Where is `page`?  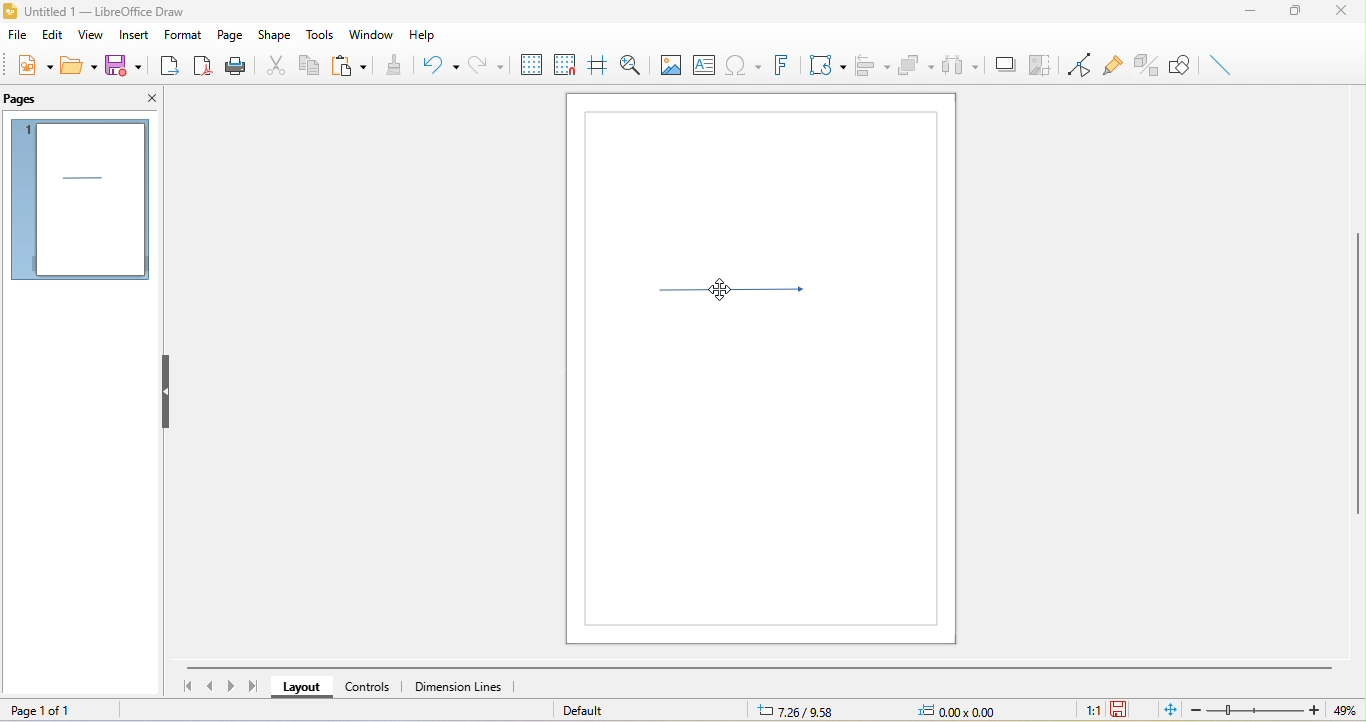
page is located at coordinates (231, 33).